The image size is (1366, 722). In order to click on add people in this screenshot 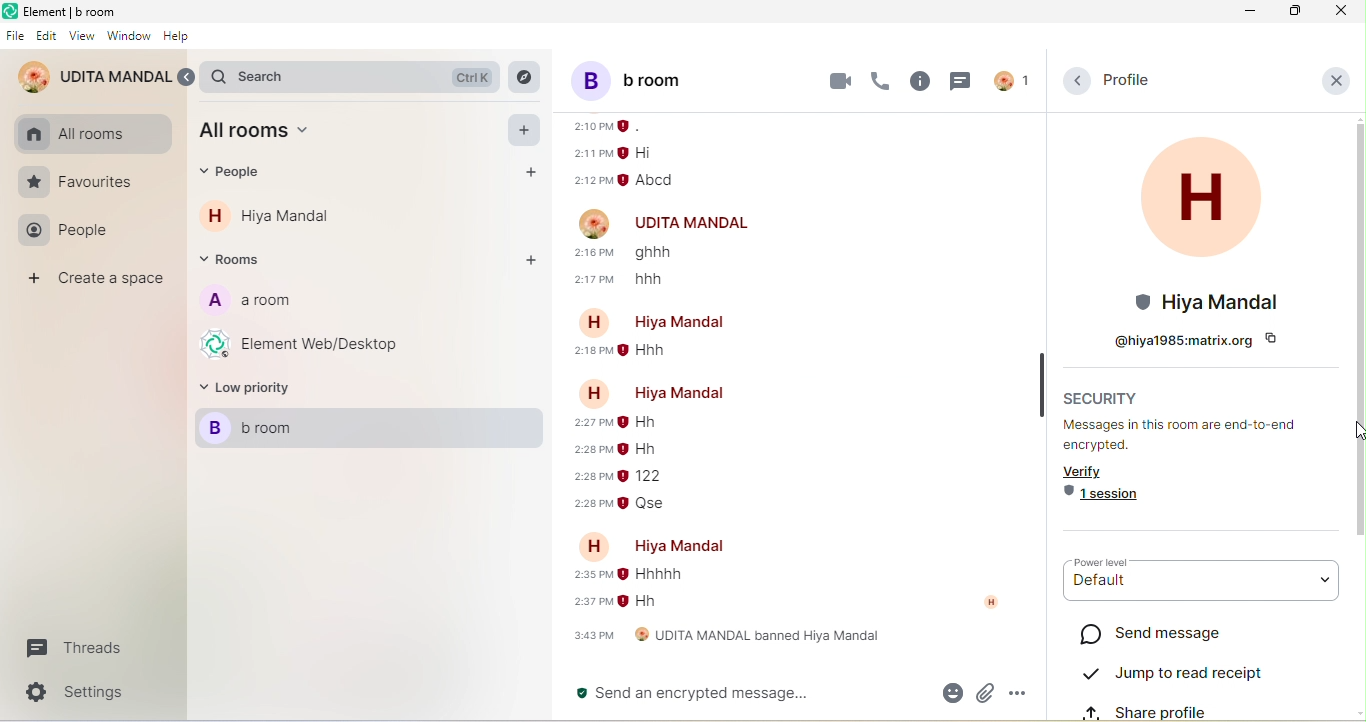, I will do `click(526, 172)`.